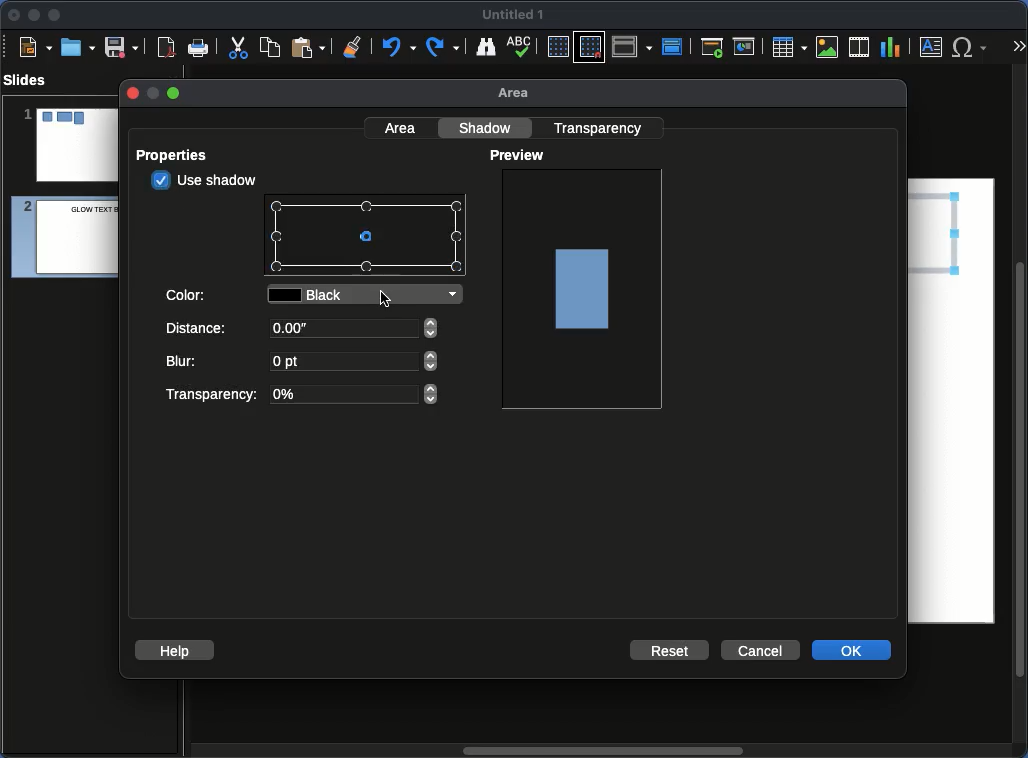 The height and width of the screenshot is (758, 1028). I want to click on Slides, so click(31, 80).